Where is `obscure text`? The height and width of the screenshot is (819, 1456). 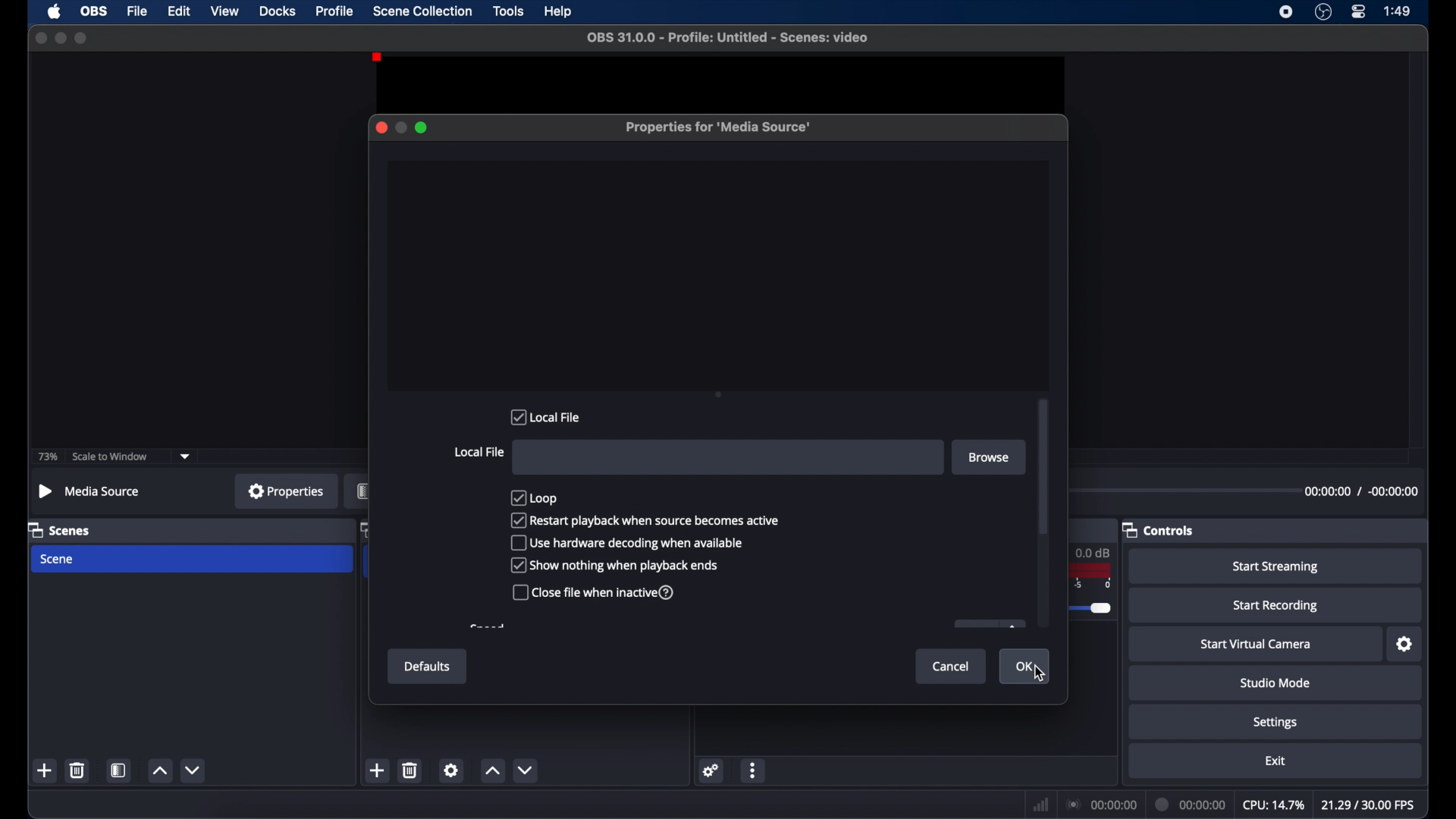 obscure text is located at coordinates (488, 626).